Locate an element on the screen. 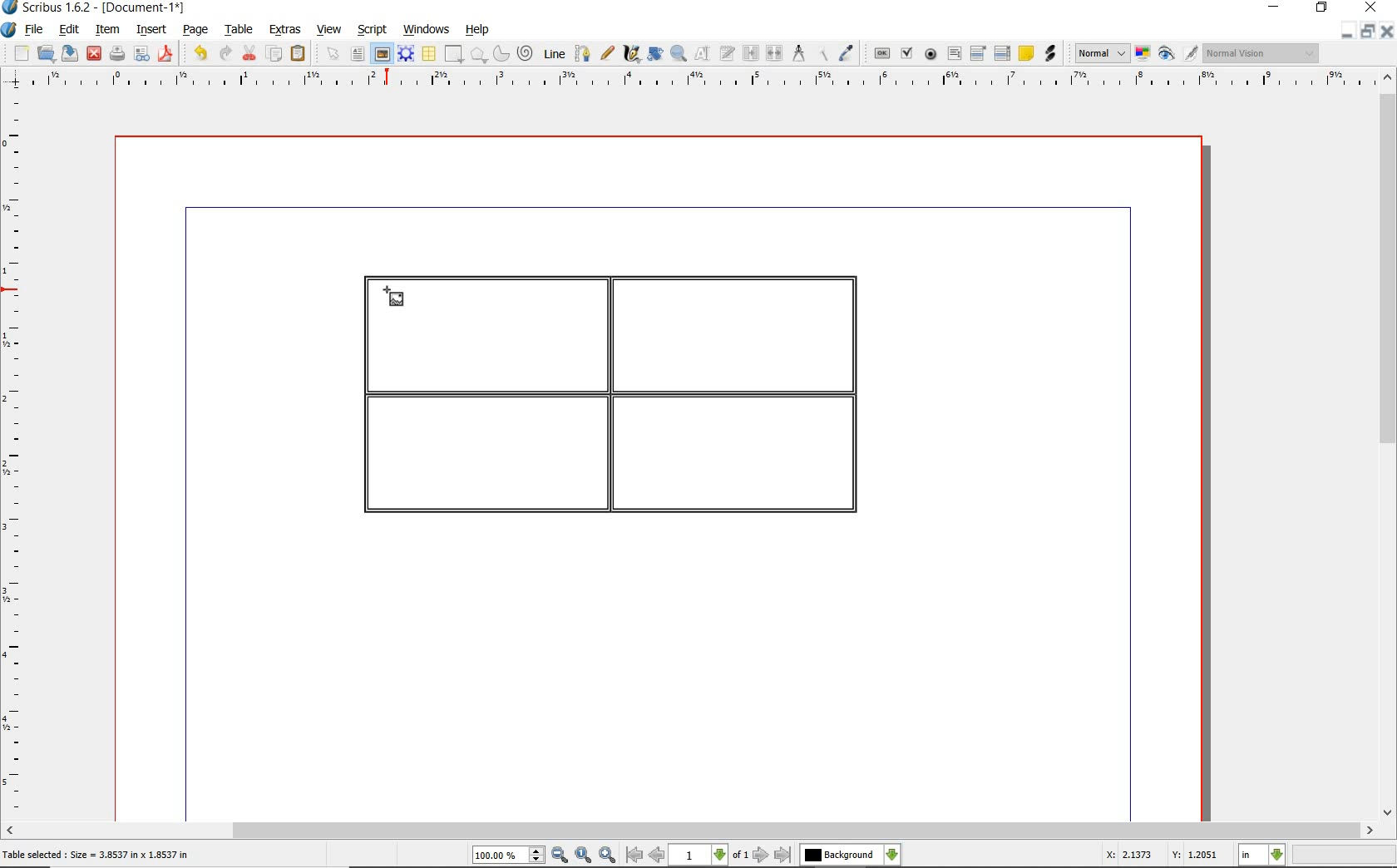 The width and height of the screenshot is (1397, 868). save as pdf is located at coordinates (165, 53).